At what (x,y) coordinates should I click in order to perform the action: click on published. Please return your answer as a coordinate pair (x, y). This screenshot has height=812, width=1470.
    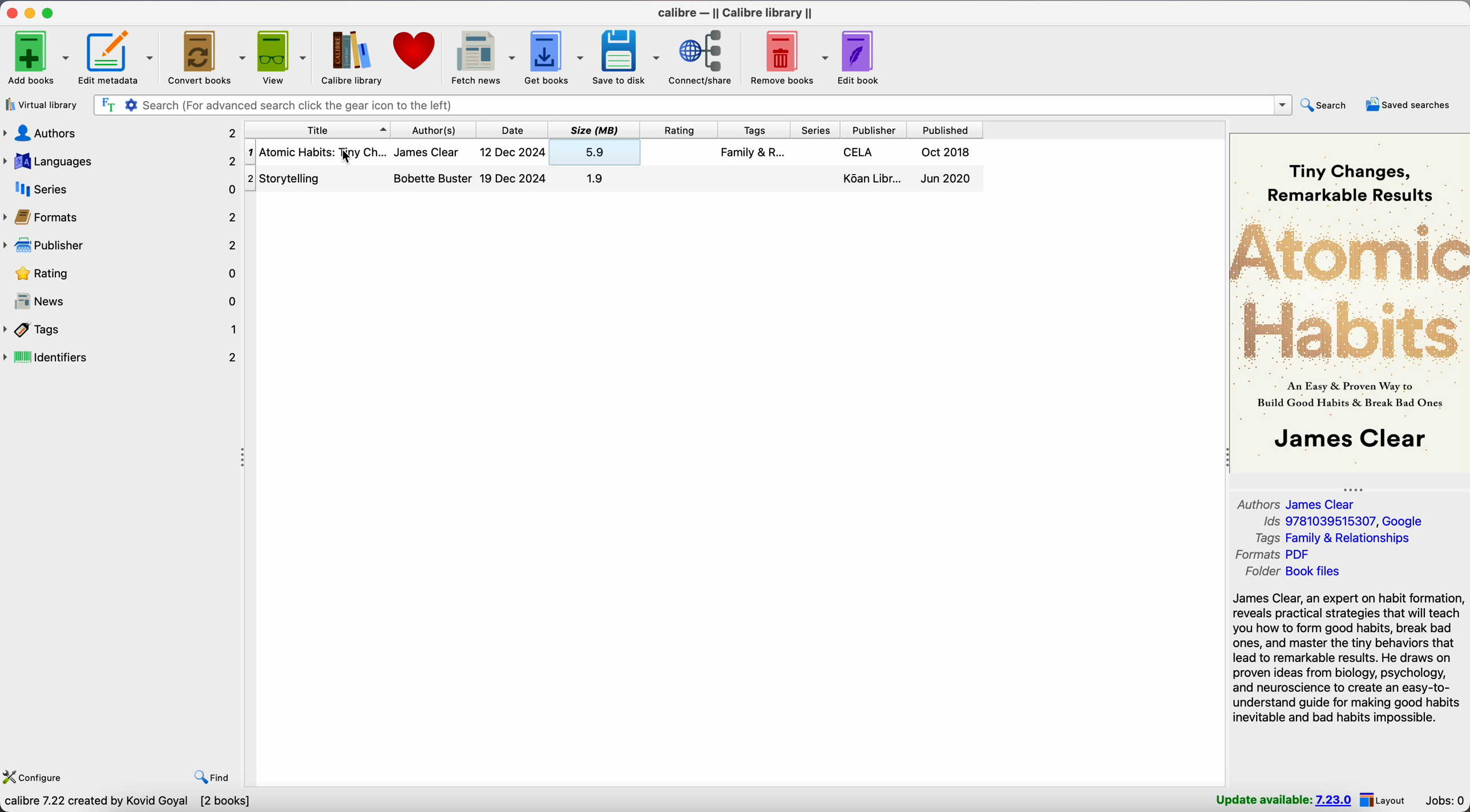
    Looking at the image, I should click on (947, 130).